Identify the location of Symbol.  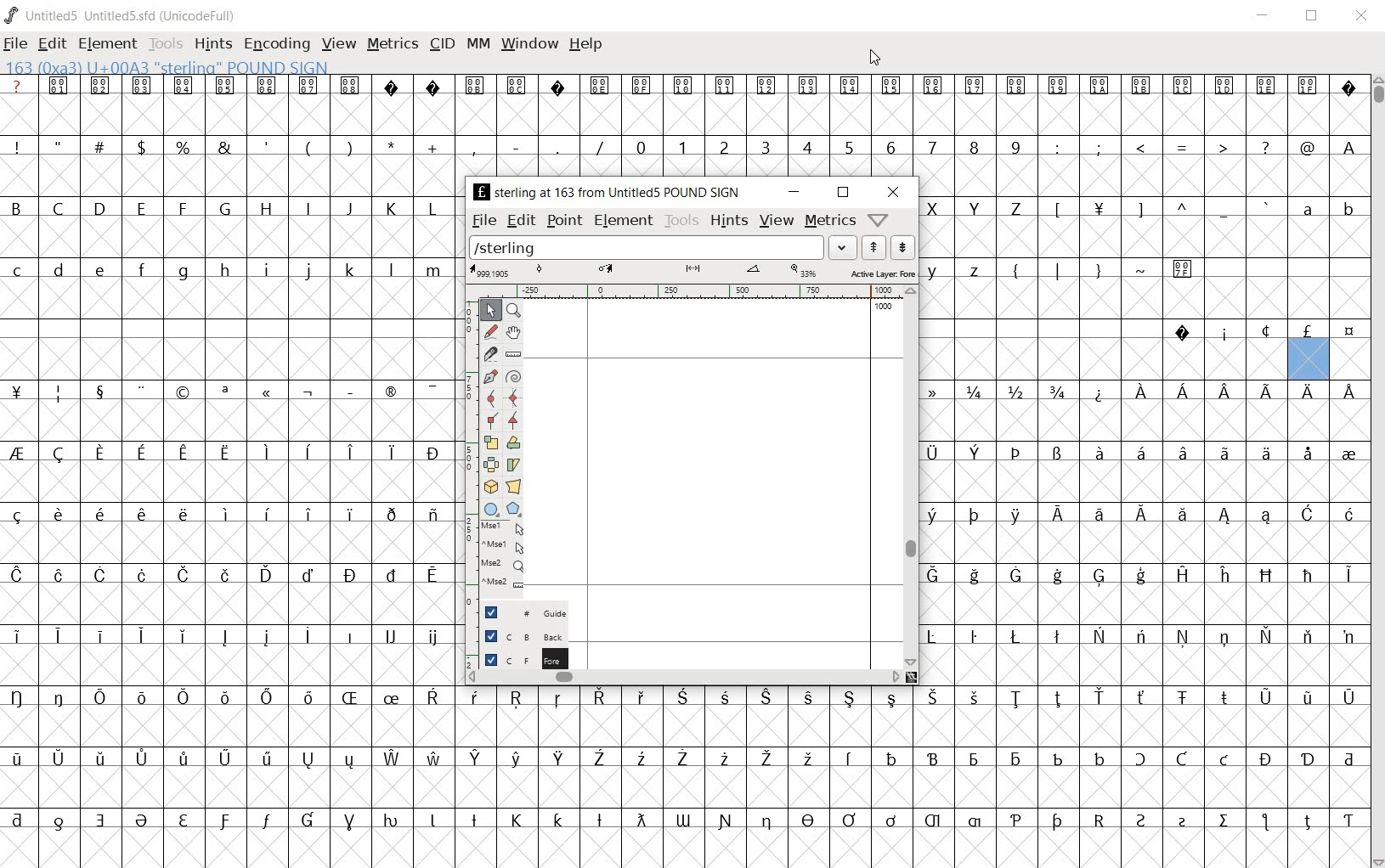
(640, 697).